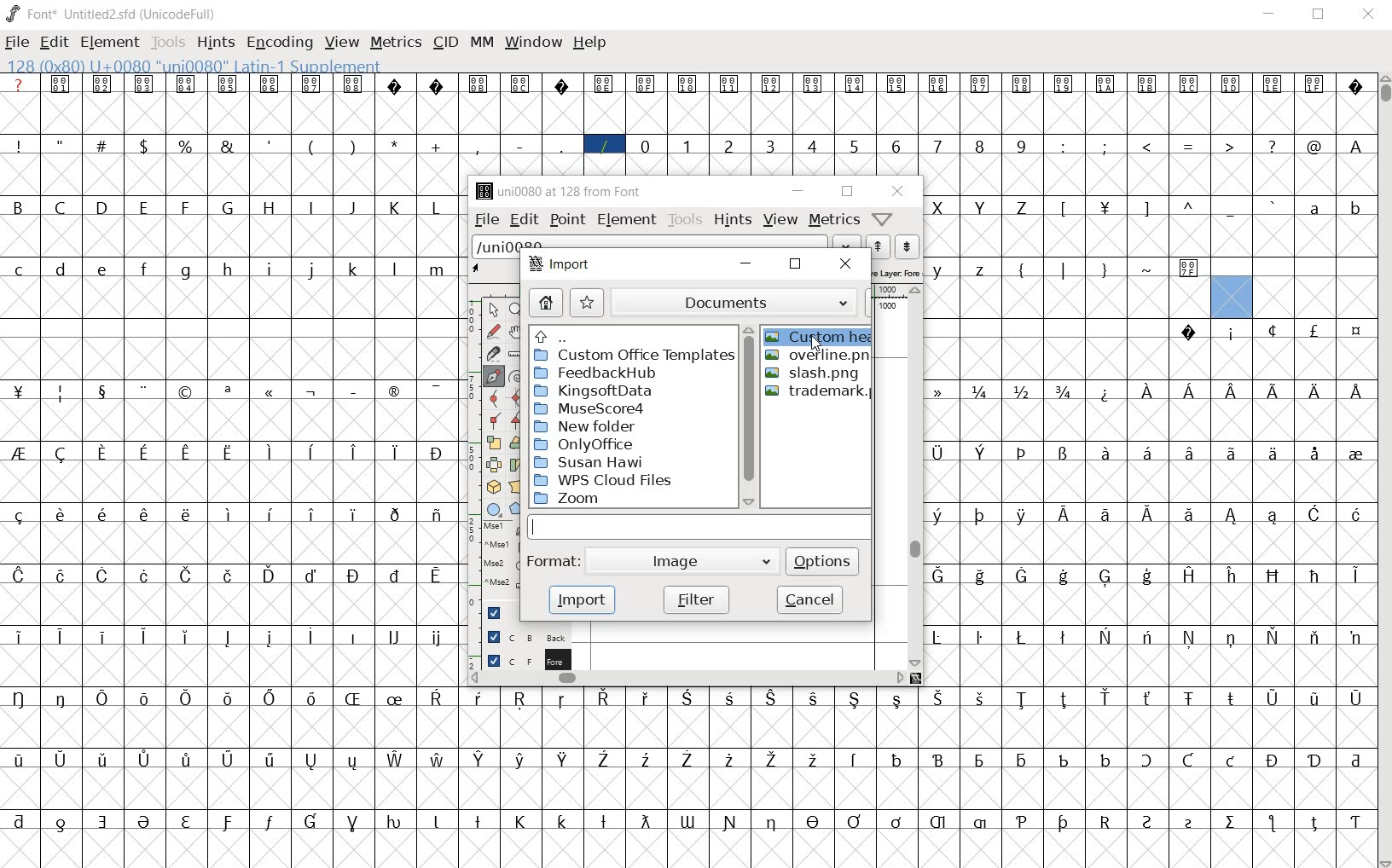 The image size is (1392, 868). I want to click on minimize, so click(751, 264).